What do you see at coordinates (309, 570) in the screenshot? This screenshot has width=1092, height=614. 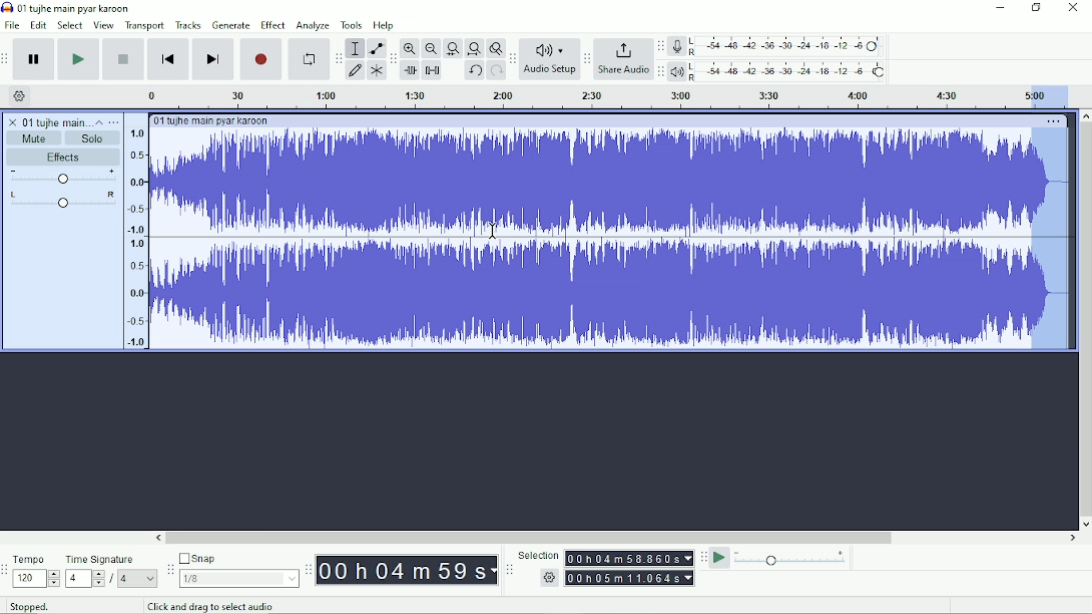 I see `Audacity time toolbar` at bounding box center [309, 570].